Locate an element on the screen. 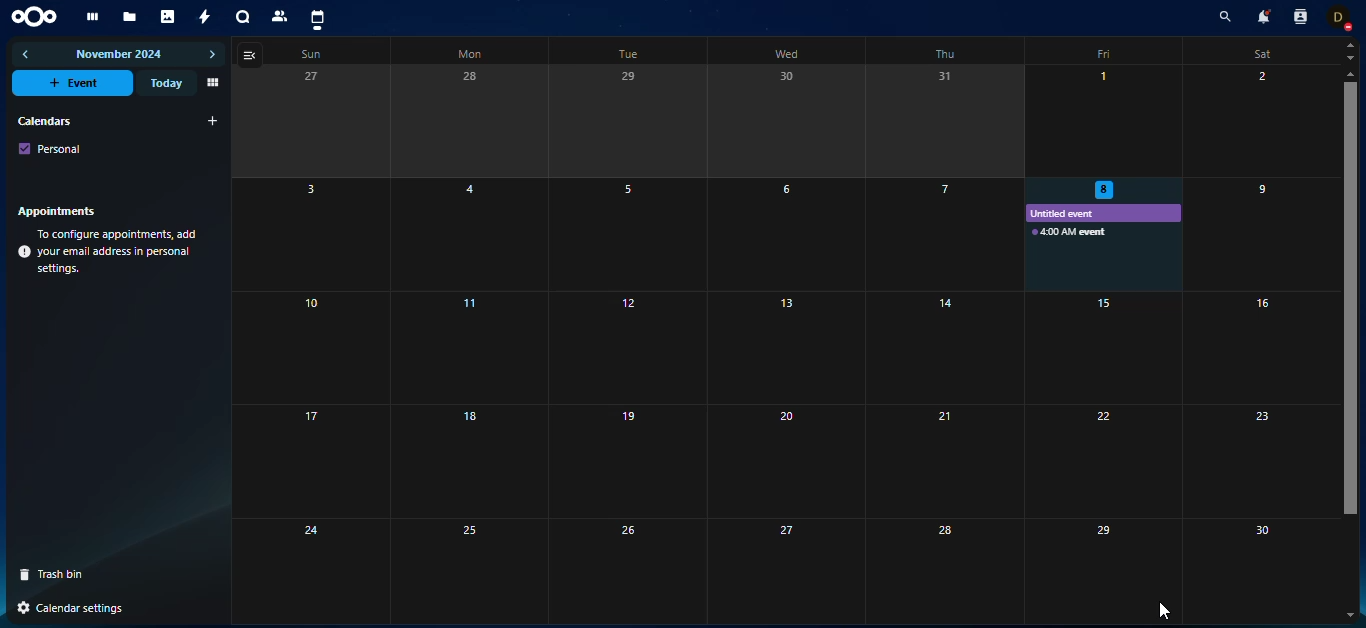 This screenshot has width=1366, height=628. previous is located at coordinates (27, 54).